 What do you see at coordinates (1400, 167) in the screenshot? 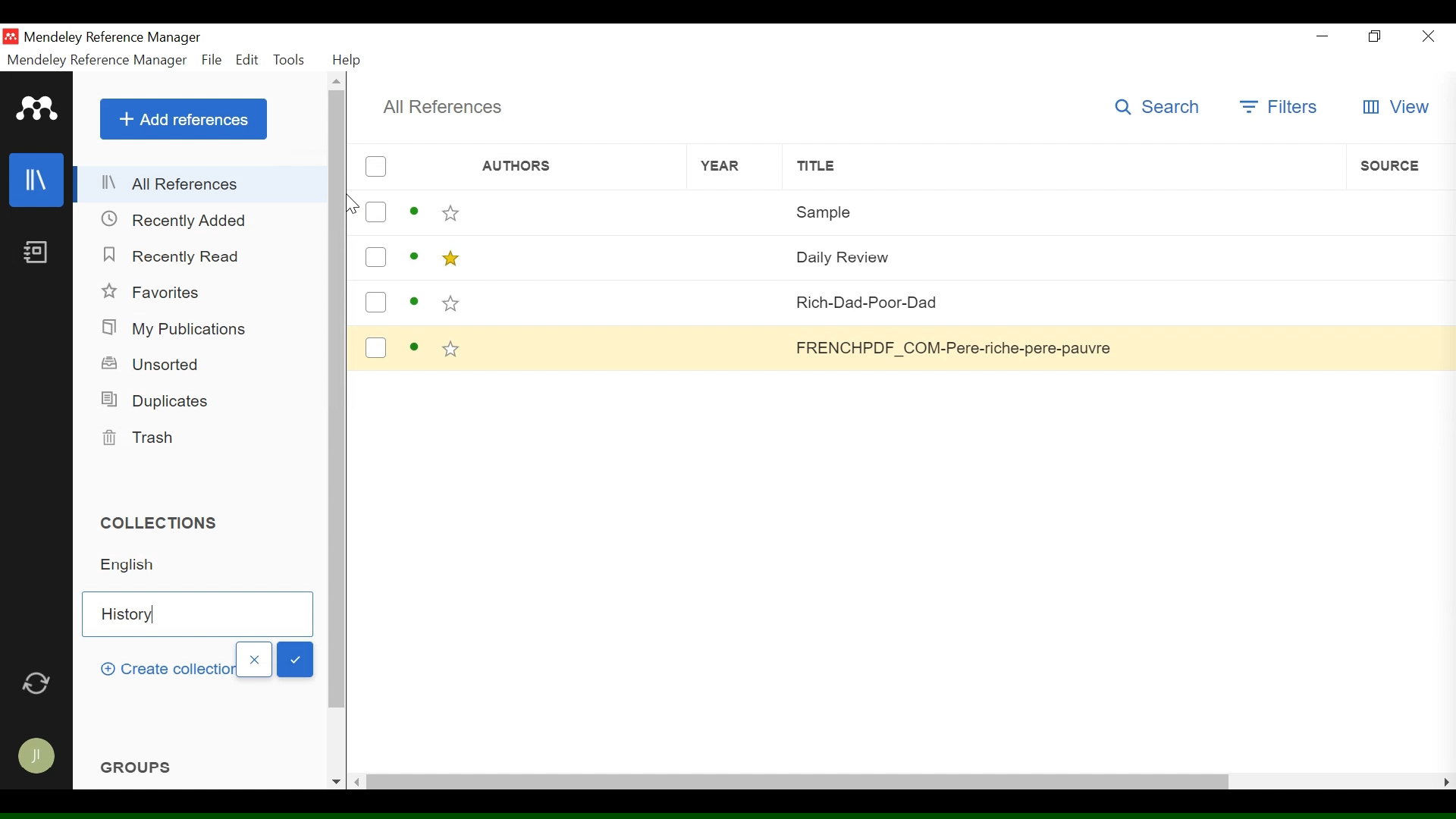
I see `Source` at bounding box center [1400, 167].